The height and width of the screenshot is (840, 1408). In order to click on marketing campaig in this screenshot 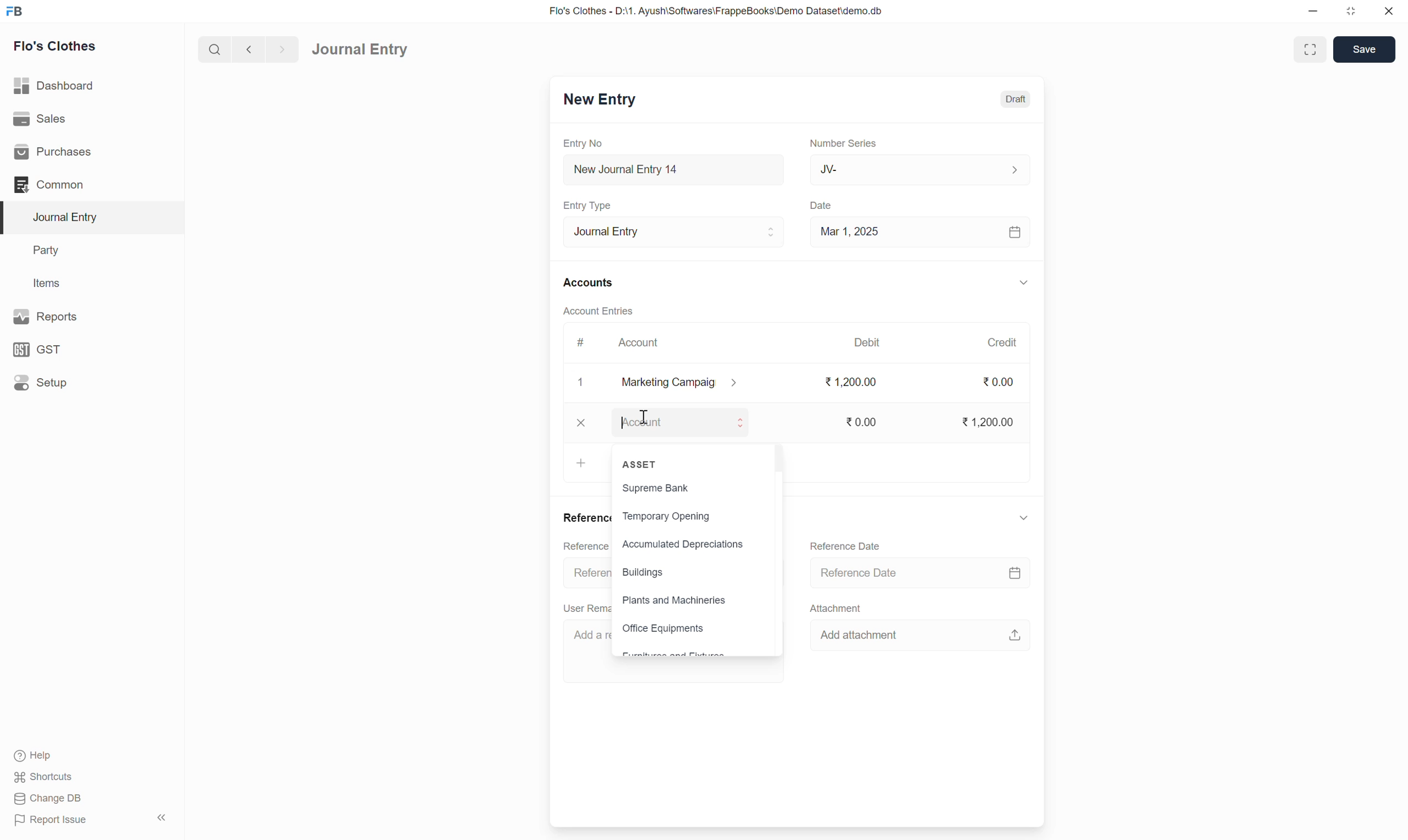, I will do `click(688, 383)`.